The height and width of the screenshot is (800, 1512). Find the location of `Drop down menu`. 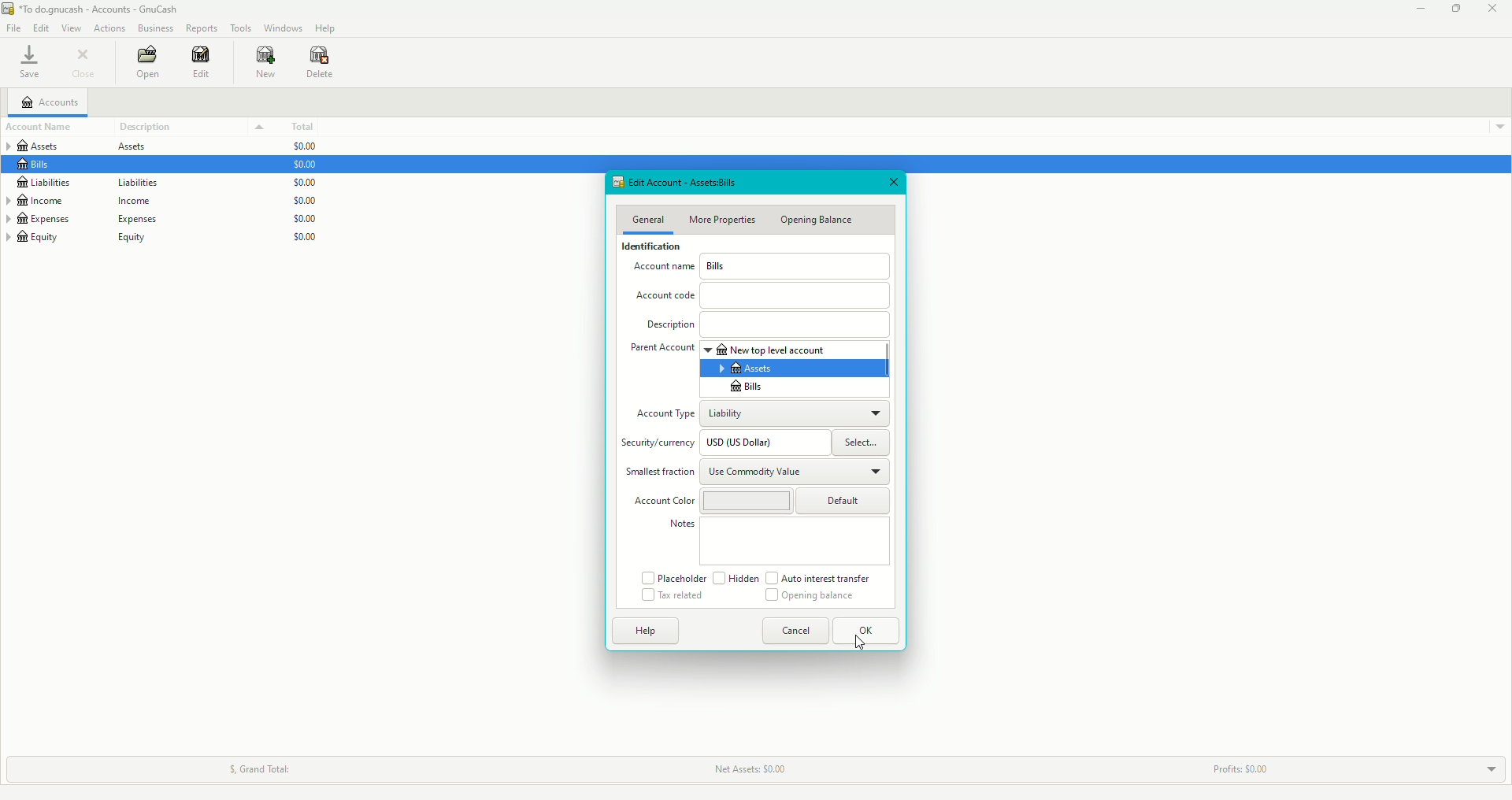

Drop down menu is located at coordinates (1495, 124).